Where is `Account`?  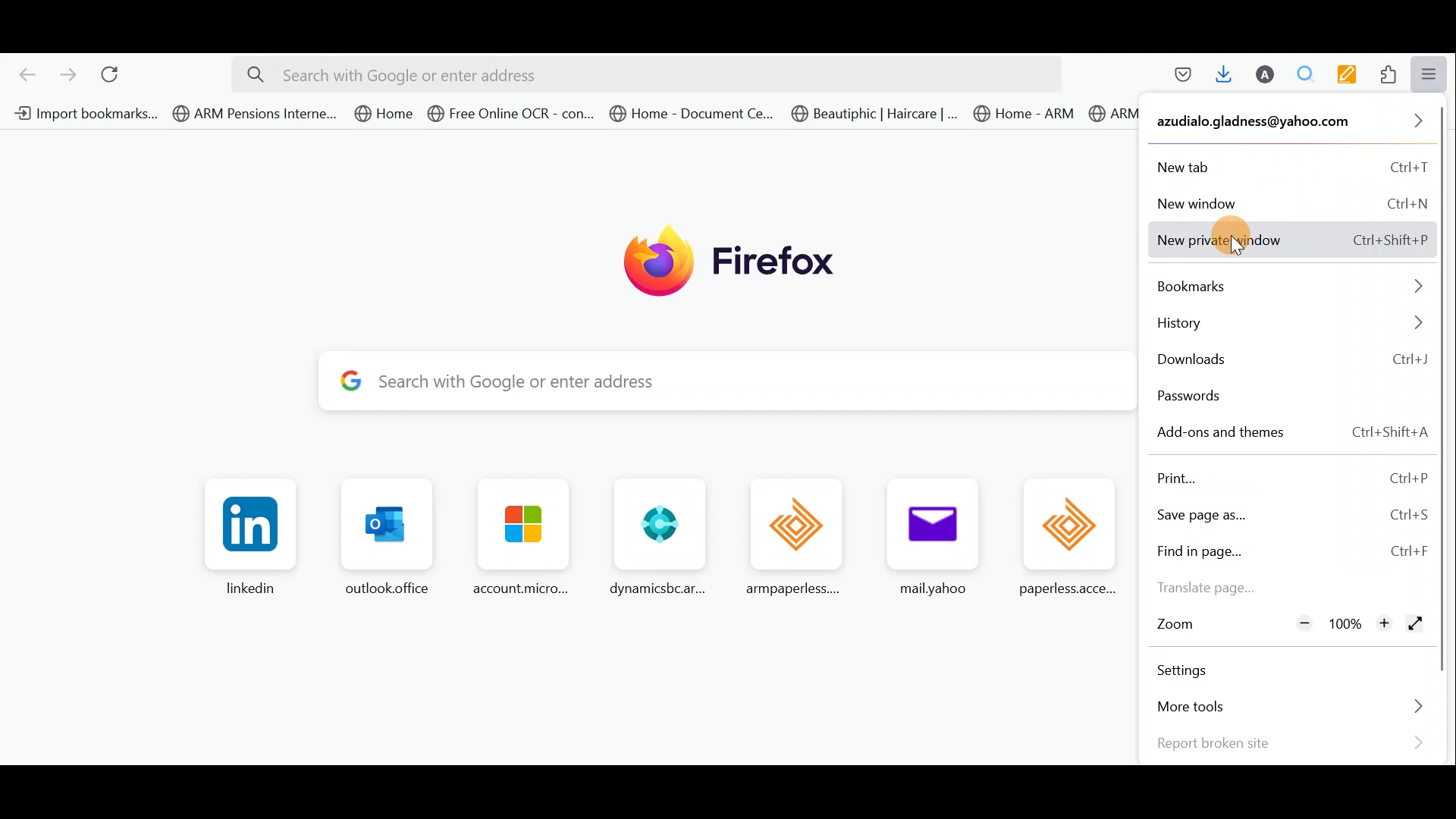 Account is located at coordinates (1266, 76).